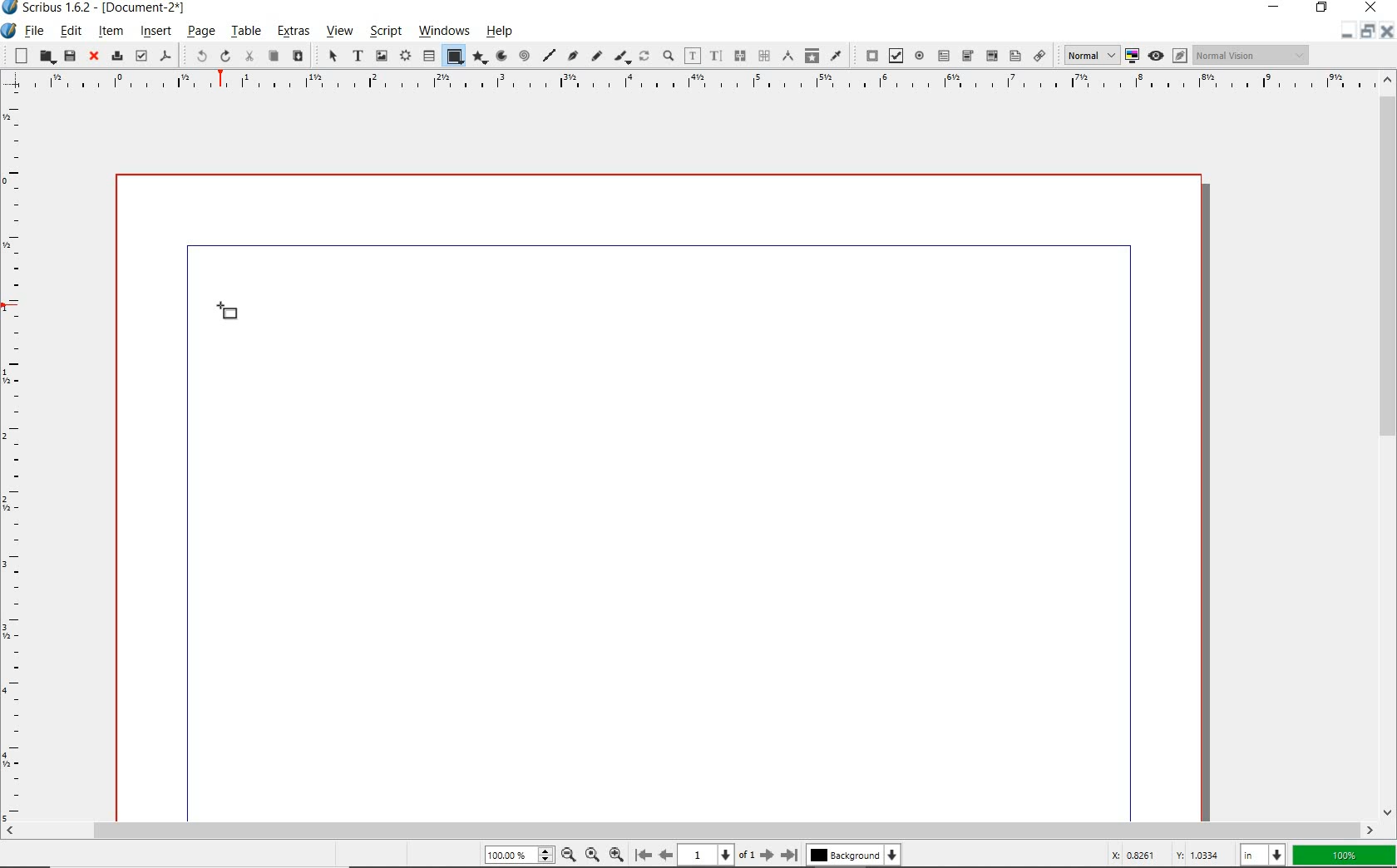 The height and width of the screenshot is (868, 1397). I want to click on view, so click(341, 32).